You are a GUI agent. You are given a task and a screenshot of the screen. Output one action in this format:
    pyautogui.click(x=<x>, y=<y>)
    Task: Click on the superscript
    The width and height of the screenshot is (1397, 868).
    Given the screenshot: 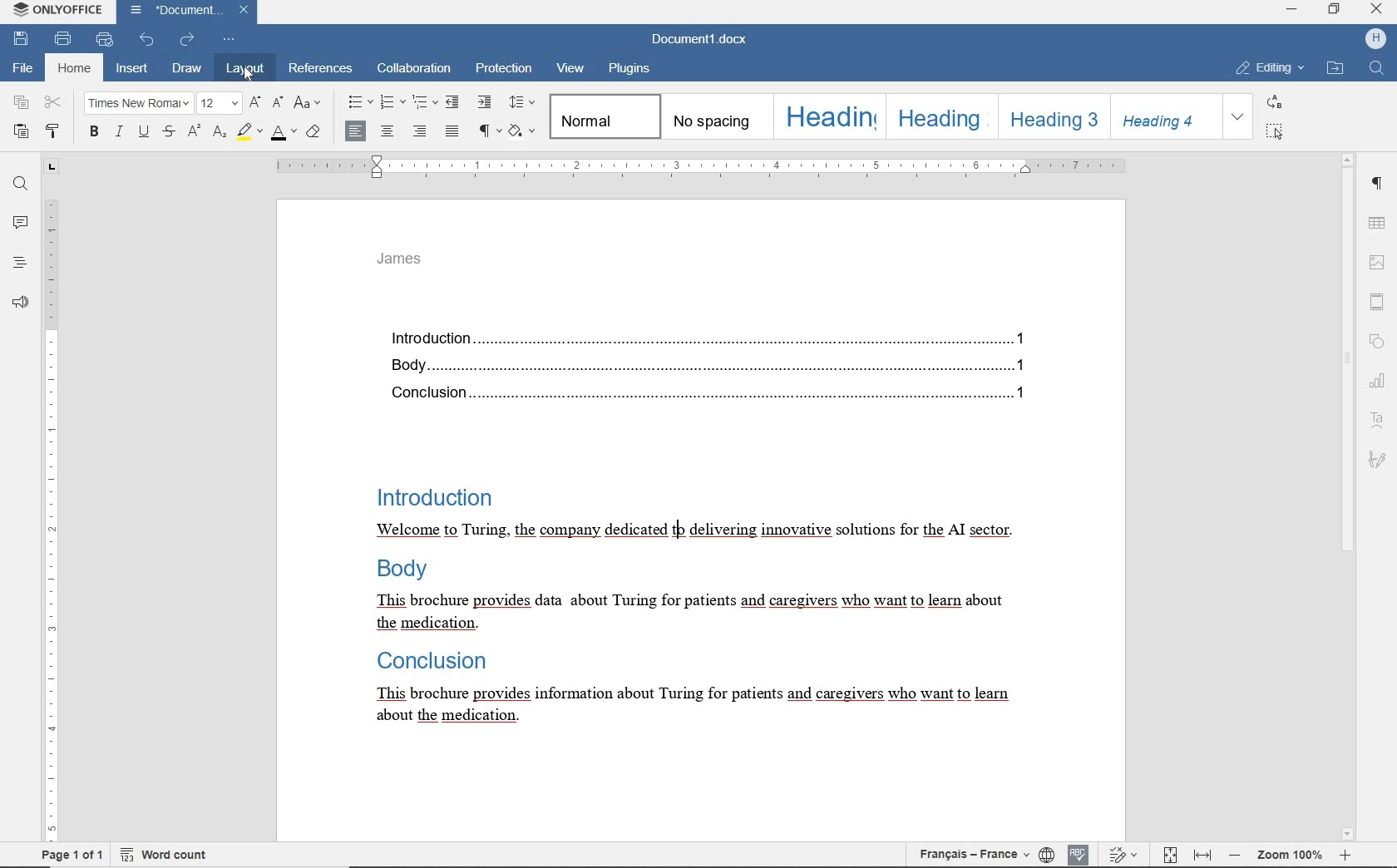 What is the action you would take?
    pyautogui.click(x=193, y=131)
    